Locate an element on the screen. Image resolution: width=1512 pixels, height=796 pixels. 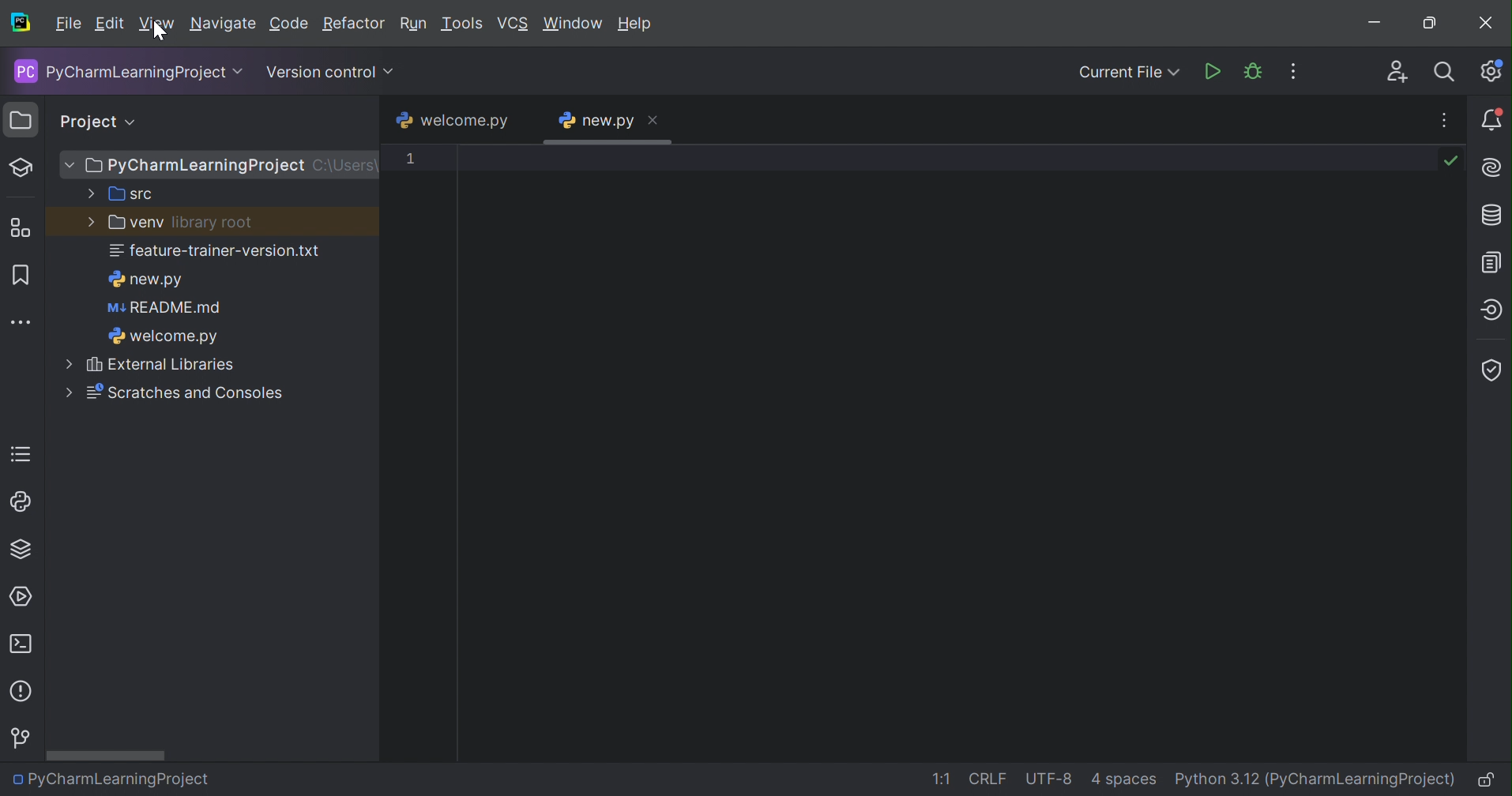
Problems is located at coordinates (23, 694).